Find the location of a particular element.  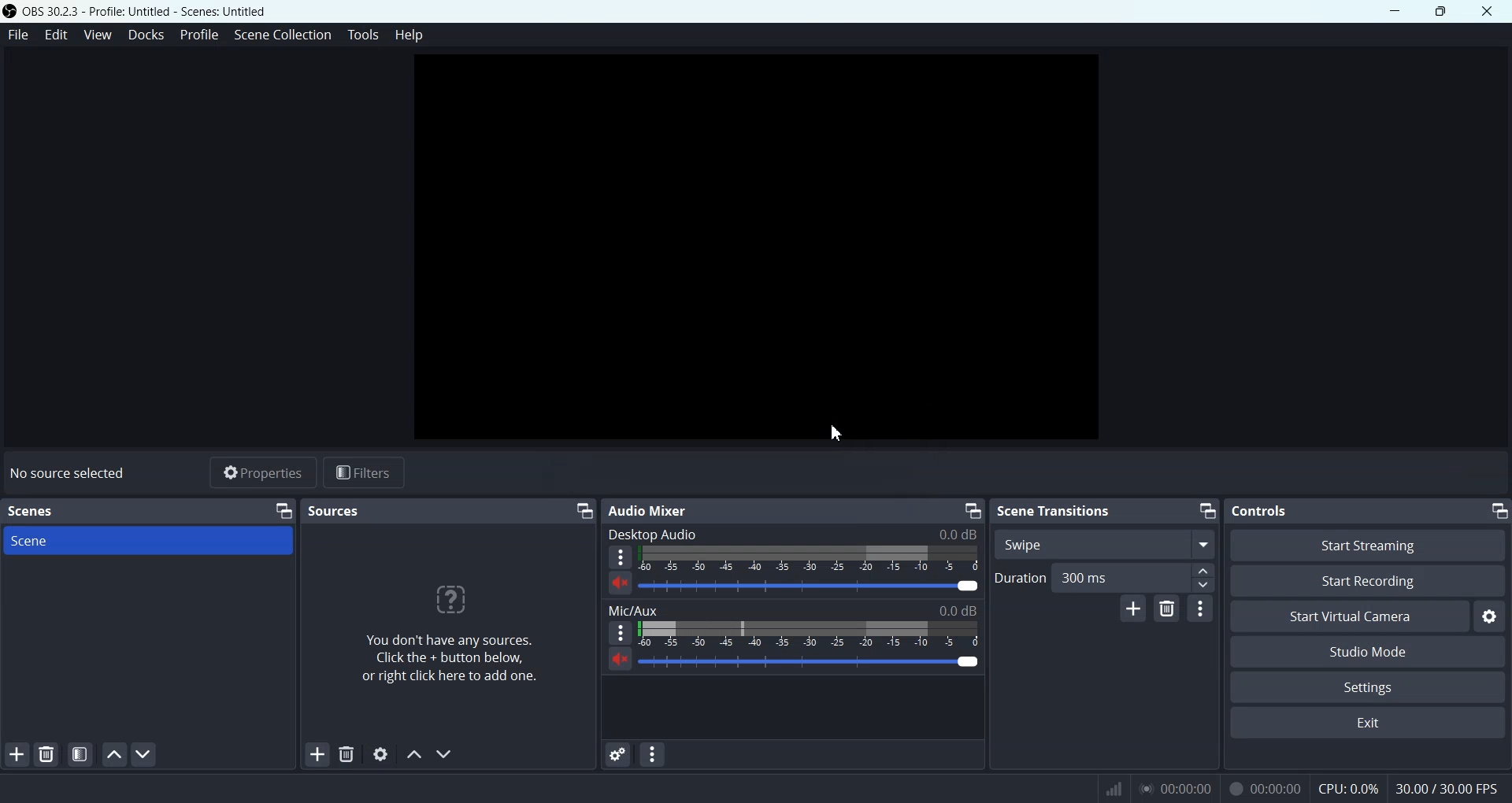

Volume Adjuster is located at coordinates (810, 634).